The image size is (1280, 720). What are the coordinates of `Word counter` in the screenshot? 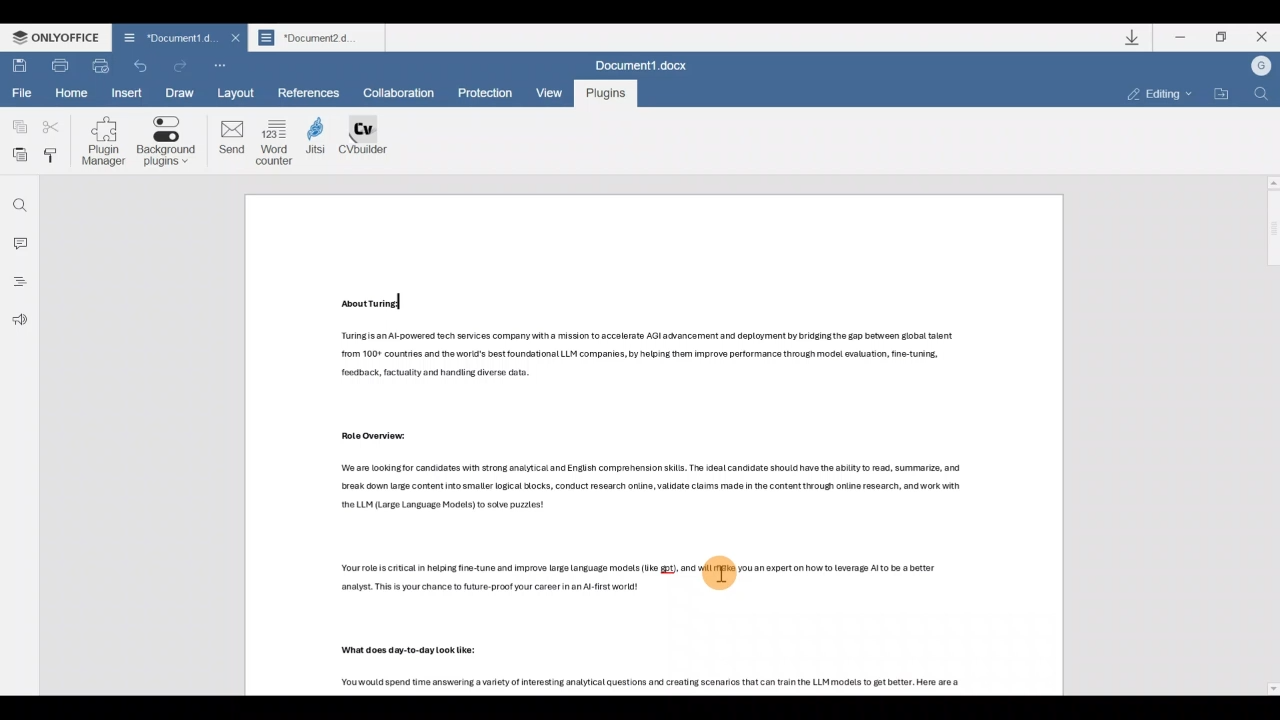 It's located at (275, 141).